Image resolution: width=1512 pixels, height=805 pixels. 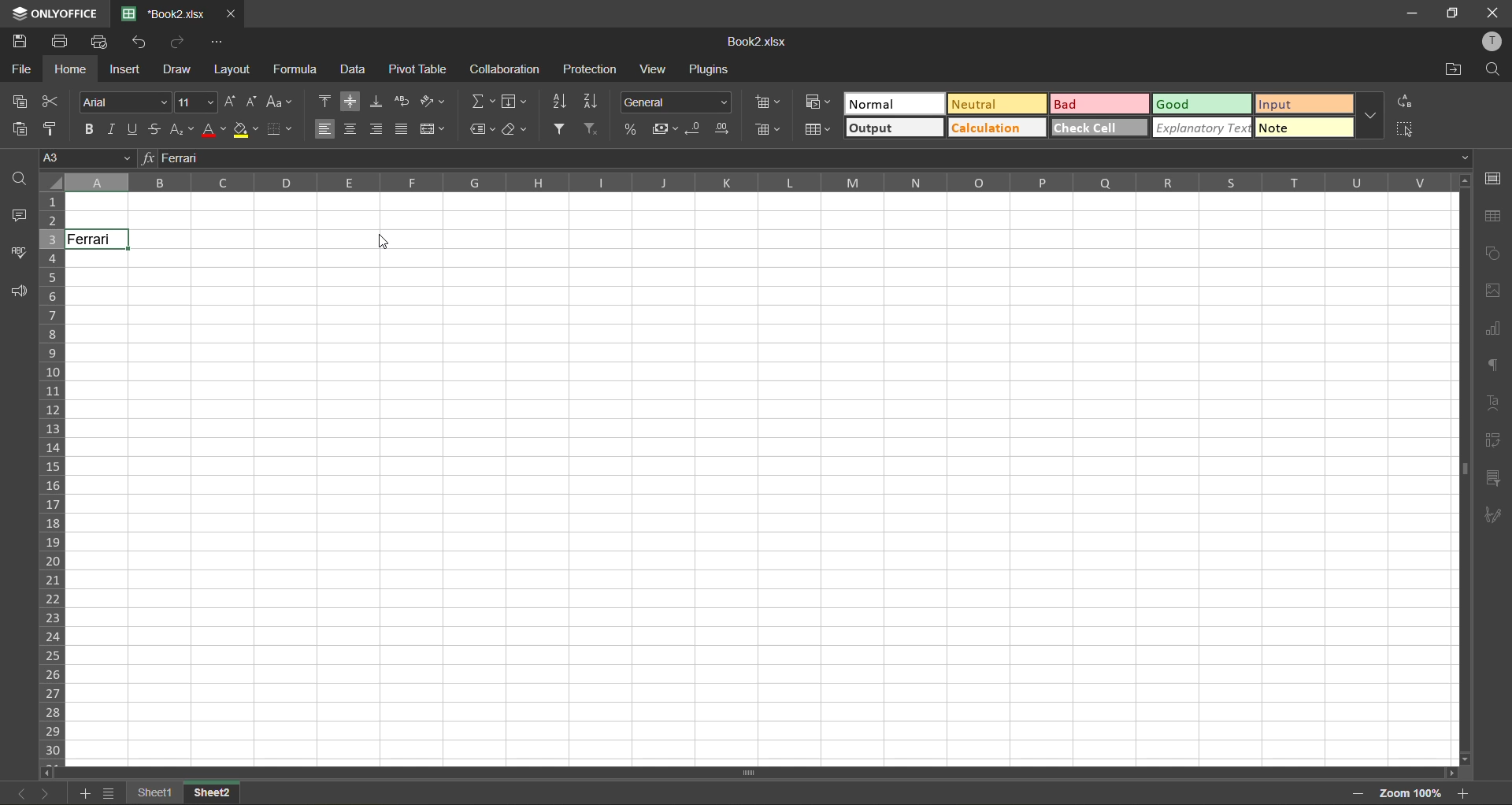 I want to click on zoom factor, so click(x=1414, y=793).